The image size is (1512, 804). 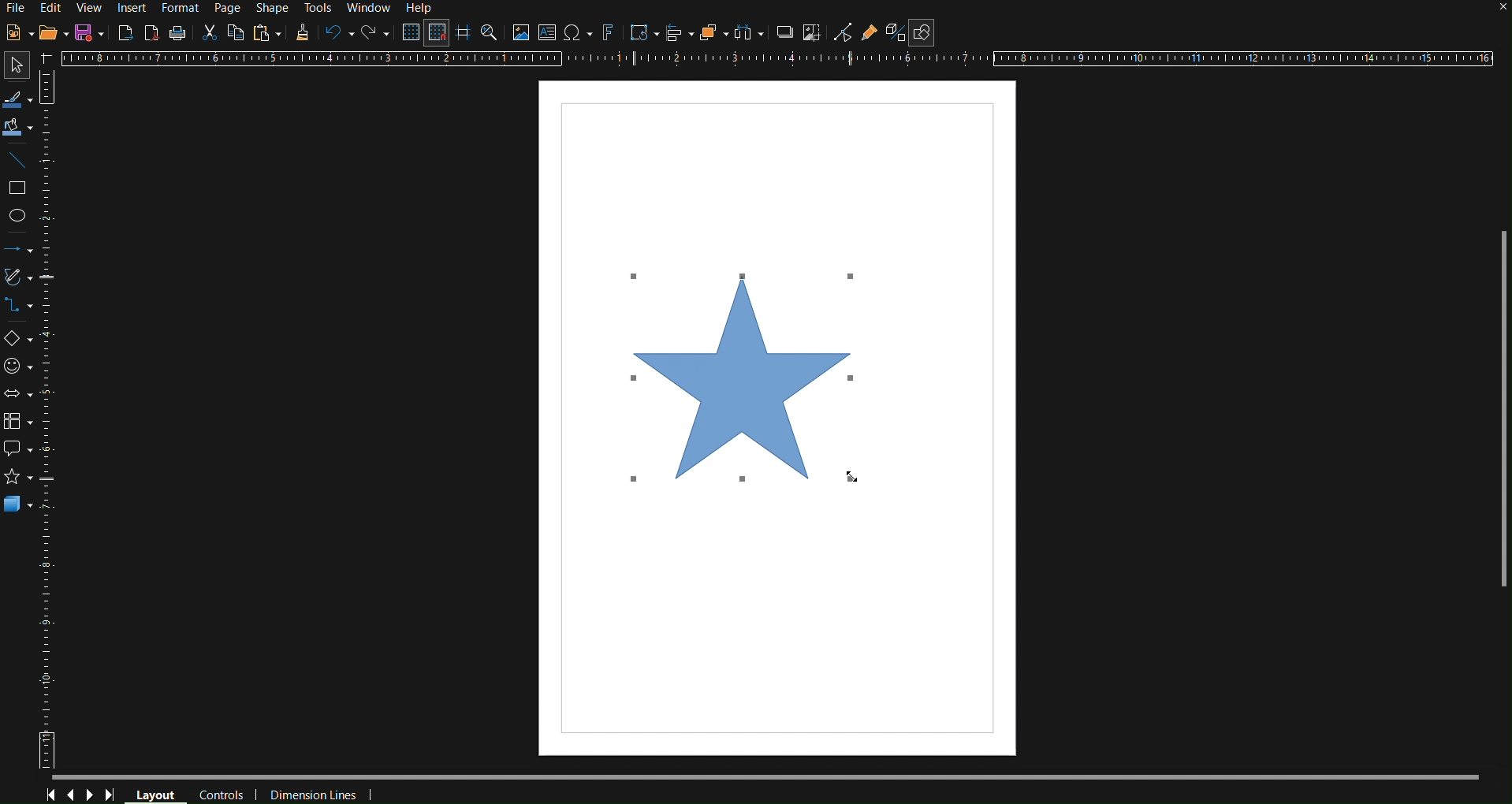 What do you see at coordinates (745, 375) in the screenshot?
I see `Star (Finalized)` at bounding box center [745, 375].